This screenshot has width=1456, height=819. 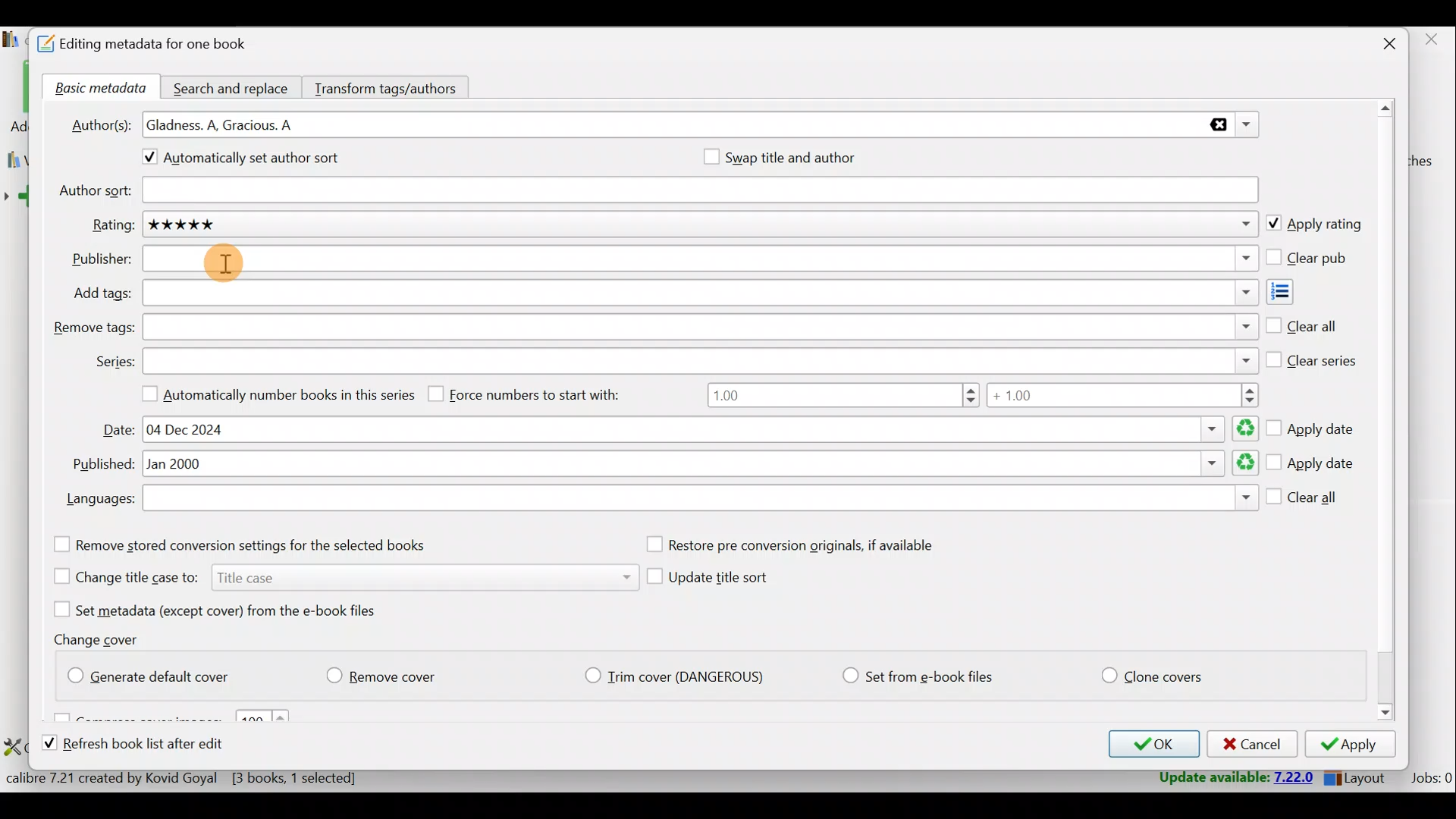 I want to click on Date:, so click(x=119, y=430).